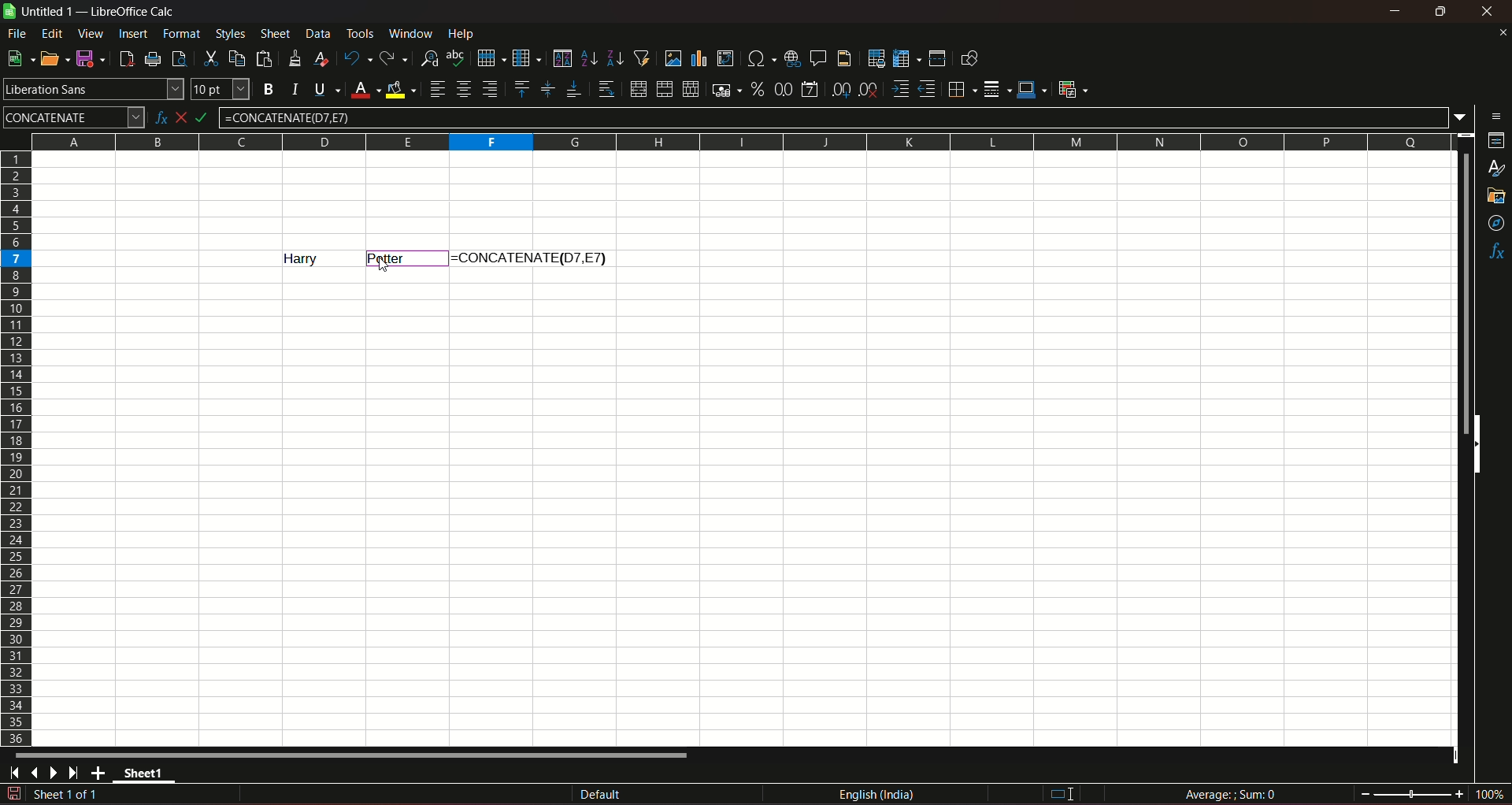 The image size is (1512, 805). What do you see at coordinates (93, 88) in the screenshot?
I see `font name` at bounding box center [93, 88].